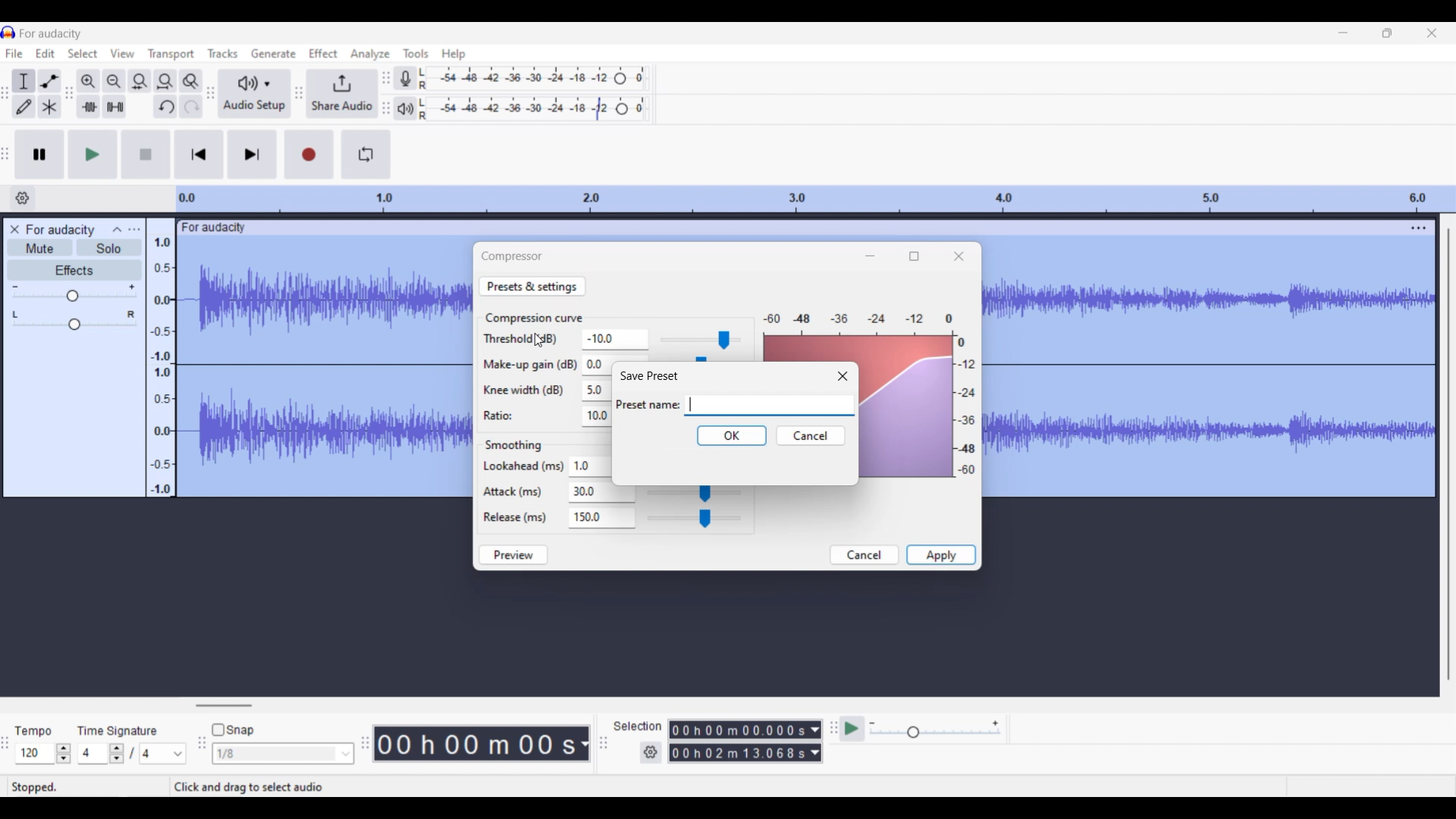 This screenshot has height=819, width=1456. What do you see at coordinates (134, 230) in the screenshot?
I see `Open menu` at bounding box center [134, 230].